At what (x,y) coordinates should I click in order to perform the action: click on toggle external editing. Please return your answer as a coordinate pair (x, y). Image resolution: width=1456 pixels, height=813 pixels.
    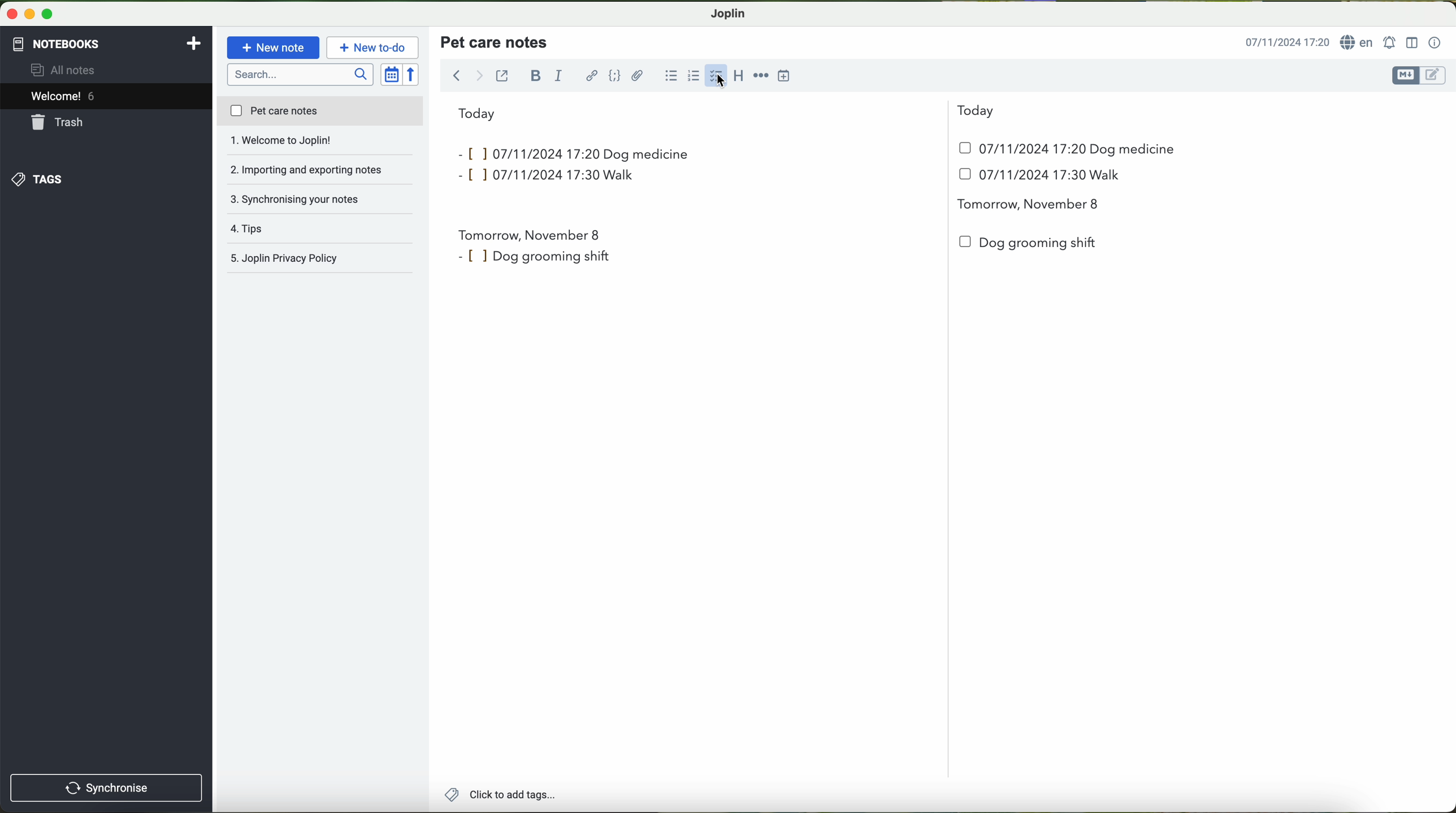
    Looking at the image, I should click on (502, 75).